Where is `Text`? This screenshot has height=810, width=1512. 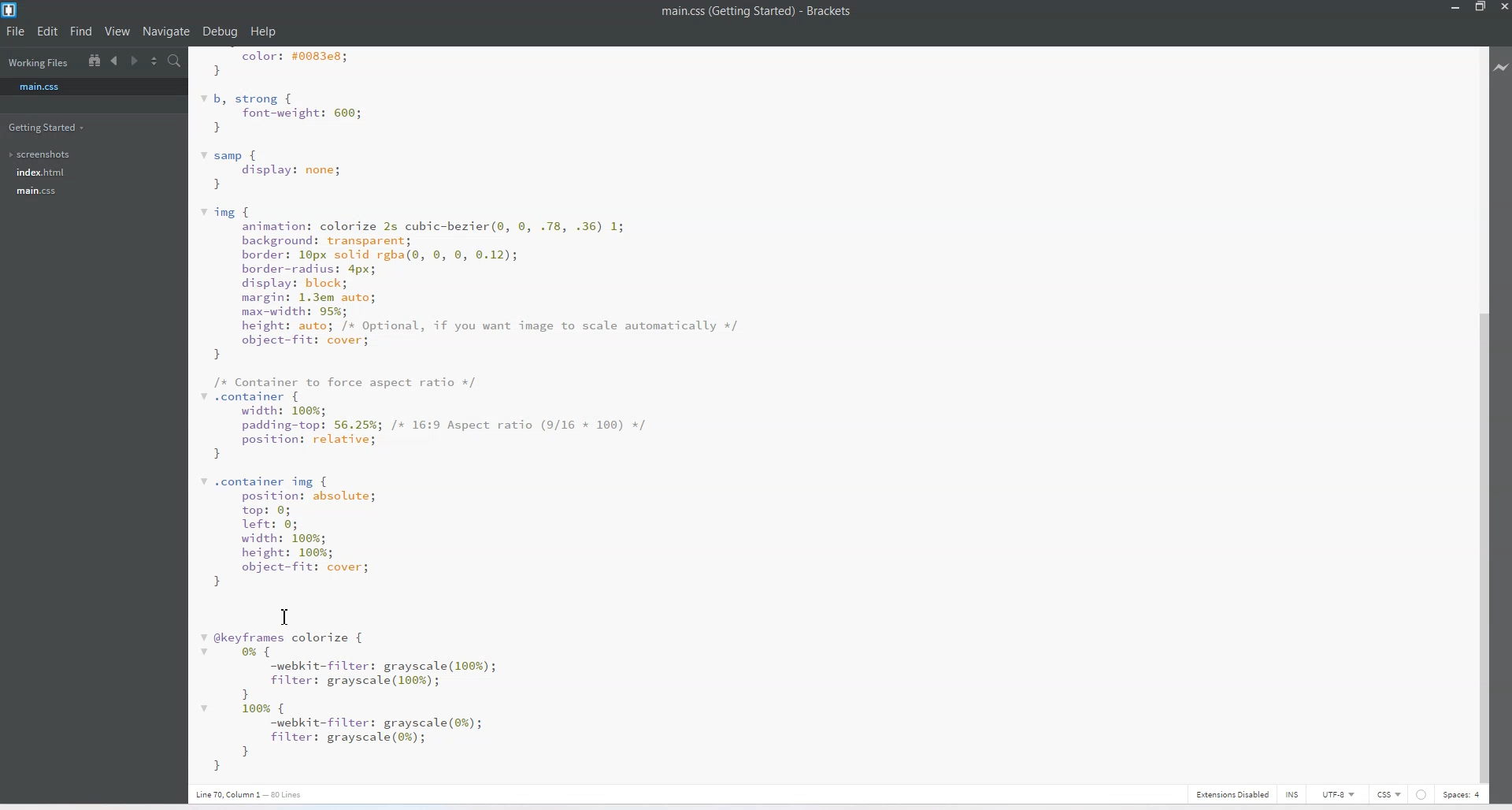 Text is located at coordinates (757, 11).